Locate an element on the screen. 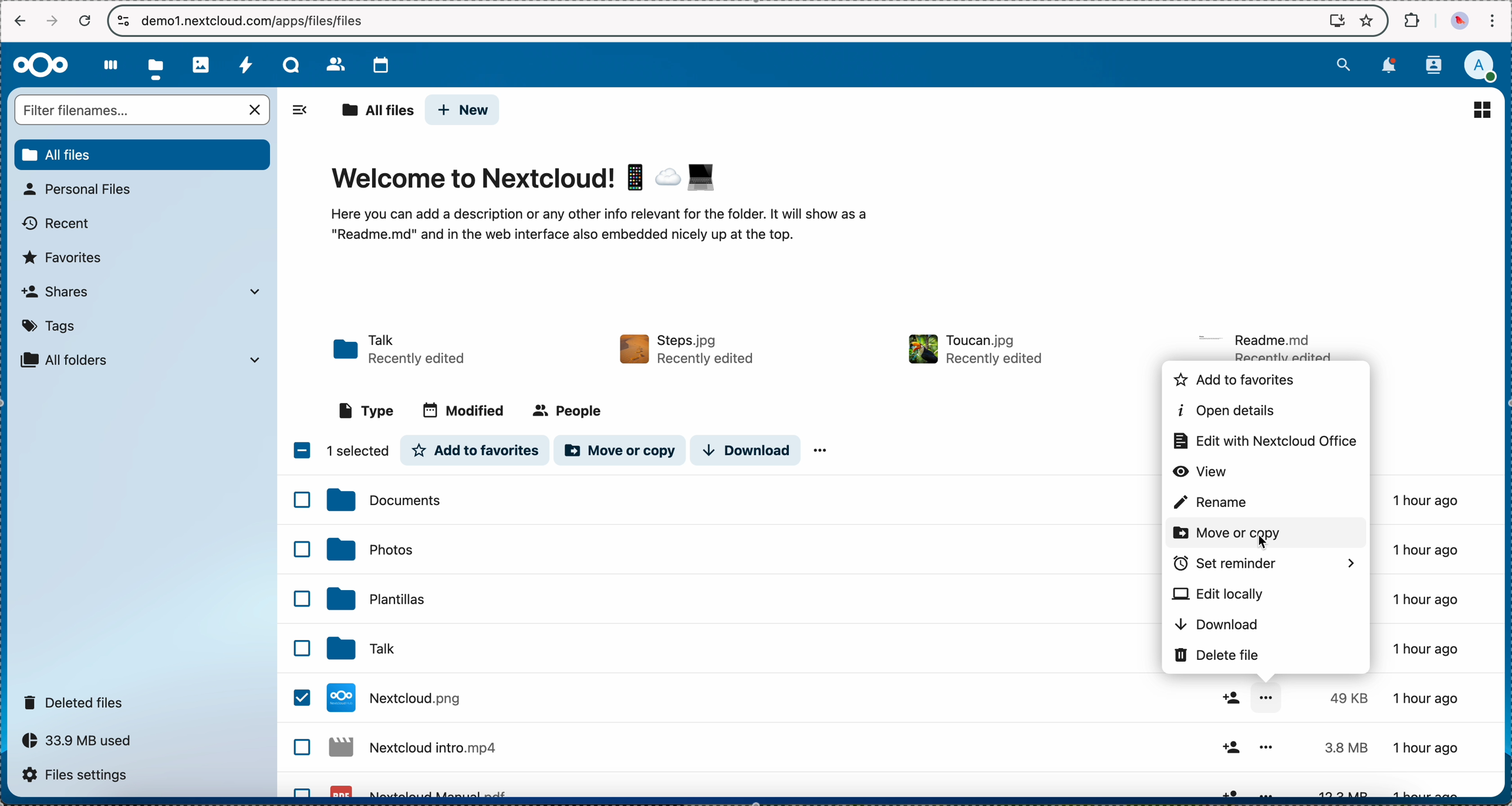  add to favorites is located at coordinates (1231, 380).